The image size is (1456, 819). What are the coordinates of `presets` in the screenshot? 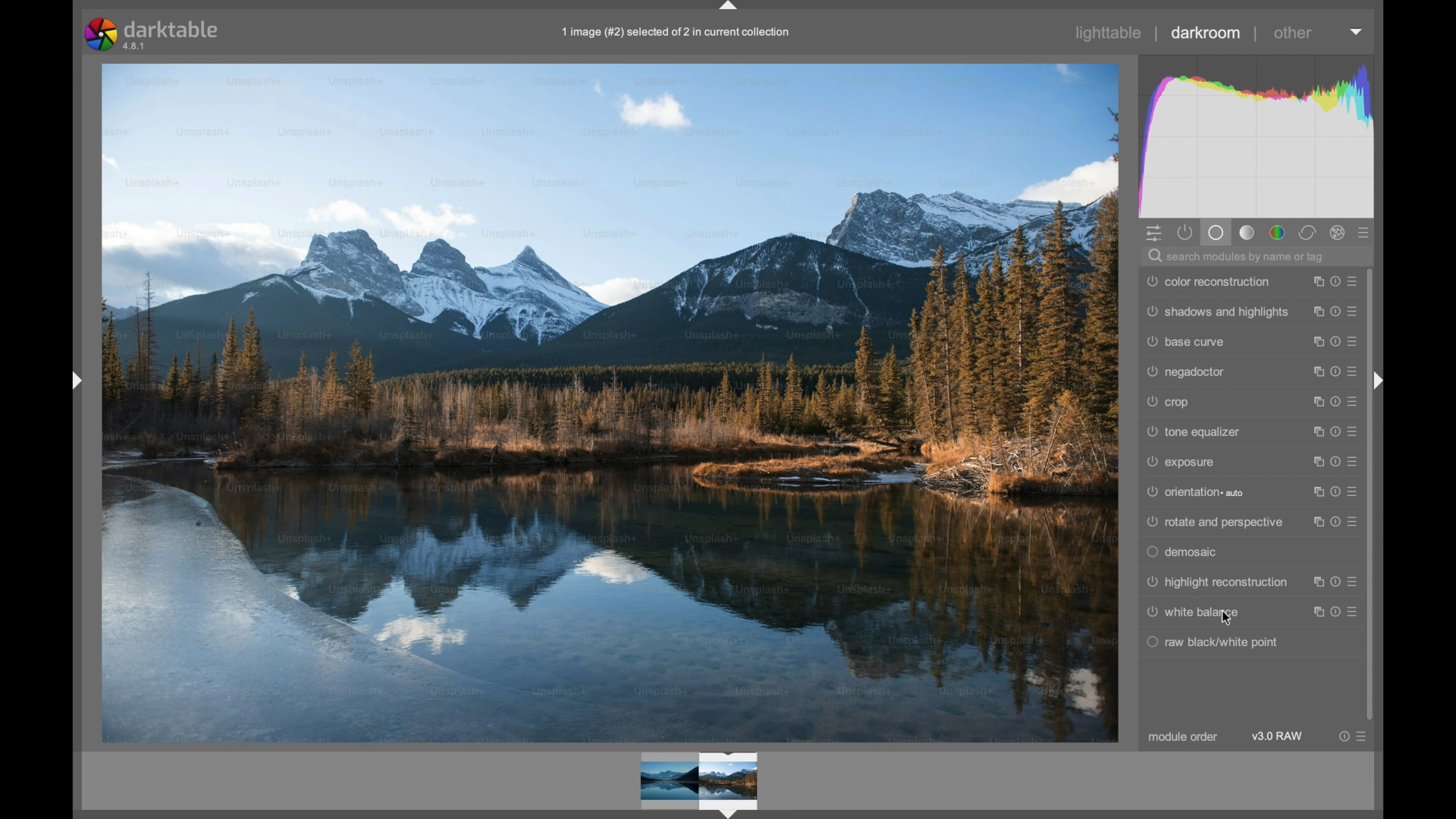 It's located at (1357, 491).